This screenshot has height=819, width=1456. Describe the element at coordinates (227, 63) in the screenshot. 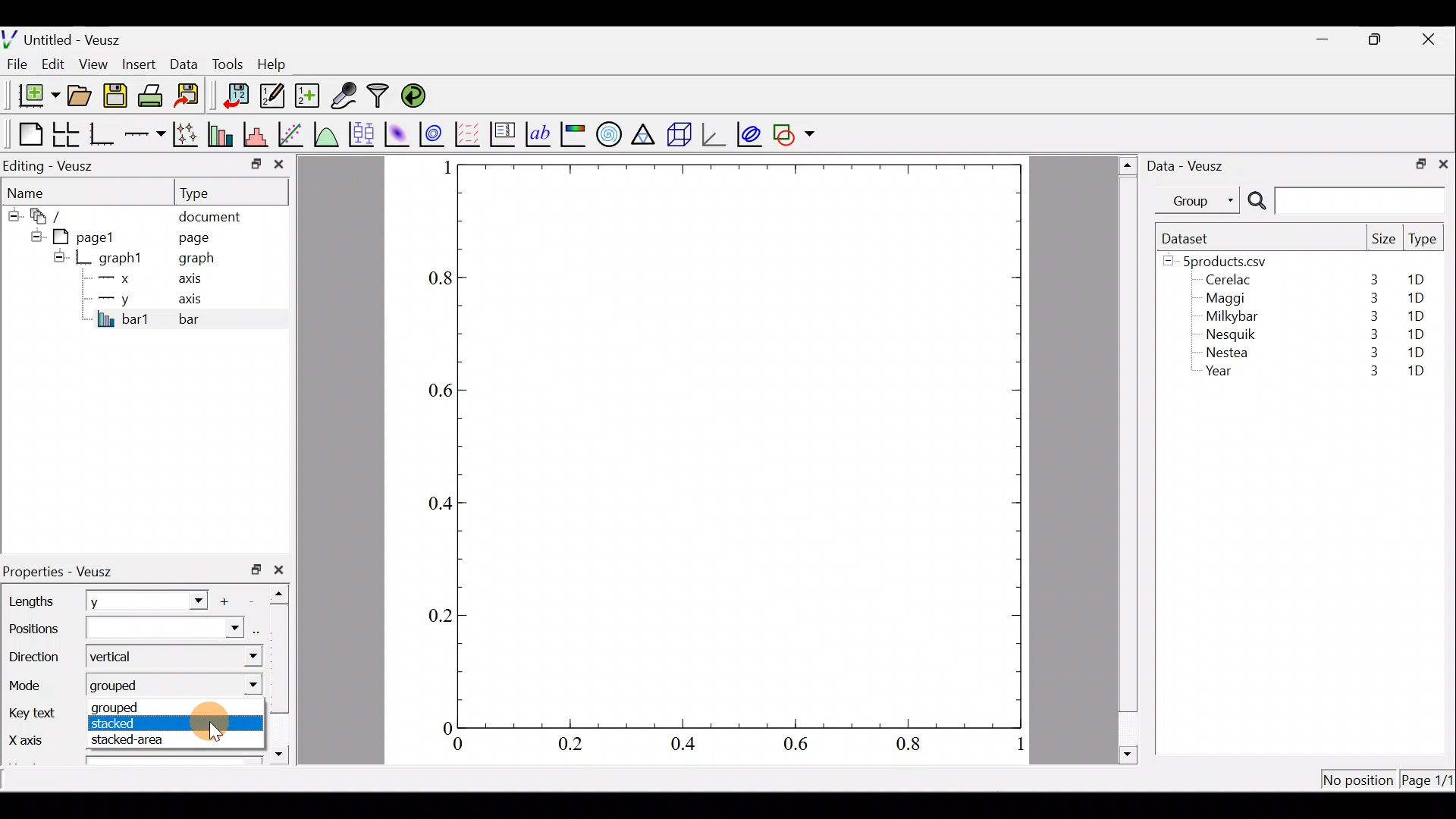

I see `Tools` at that location.